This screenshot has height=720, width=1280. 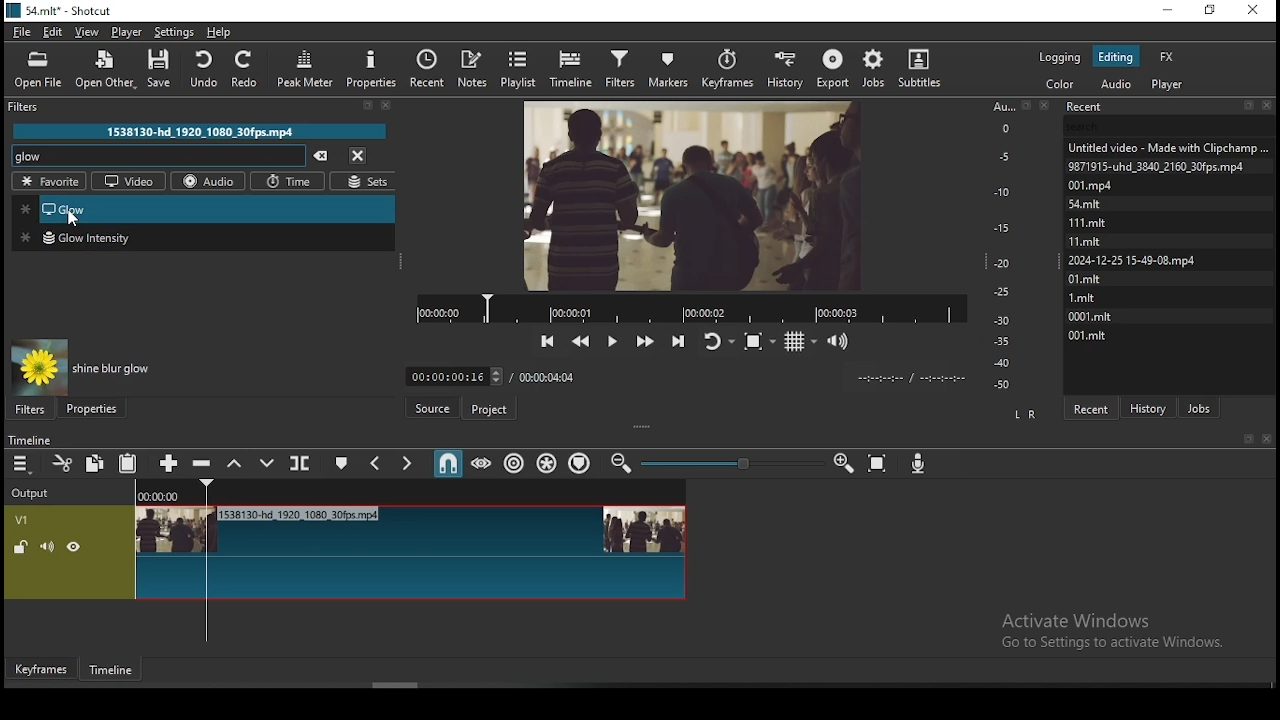 I want to click on append, so click(x=169, y=464).